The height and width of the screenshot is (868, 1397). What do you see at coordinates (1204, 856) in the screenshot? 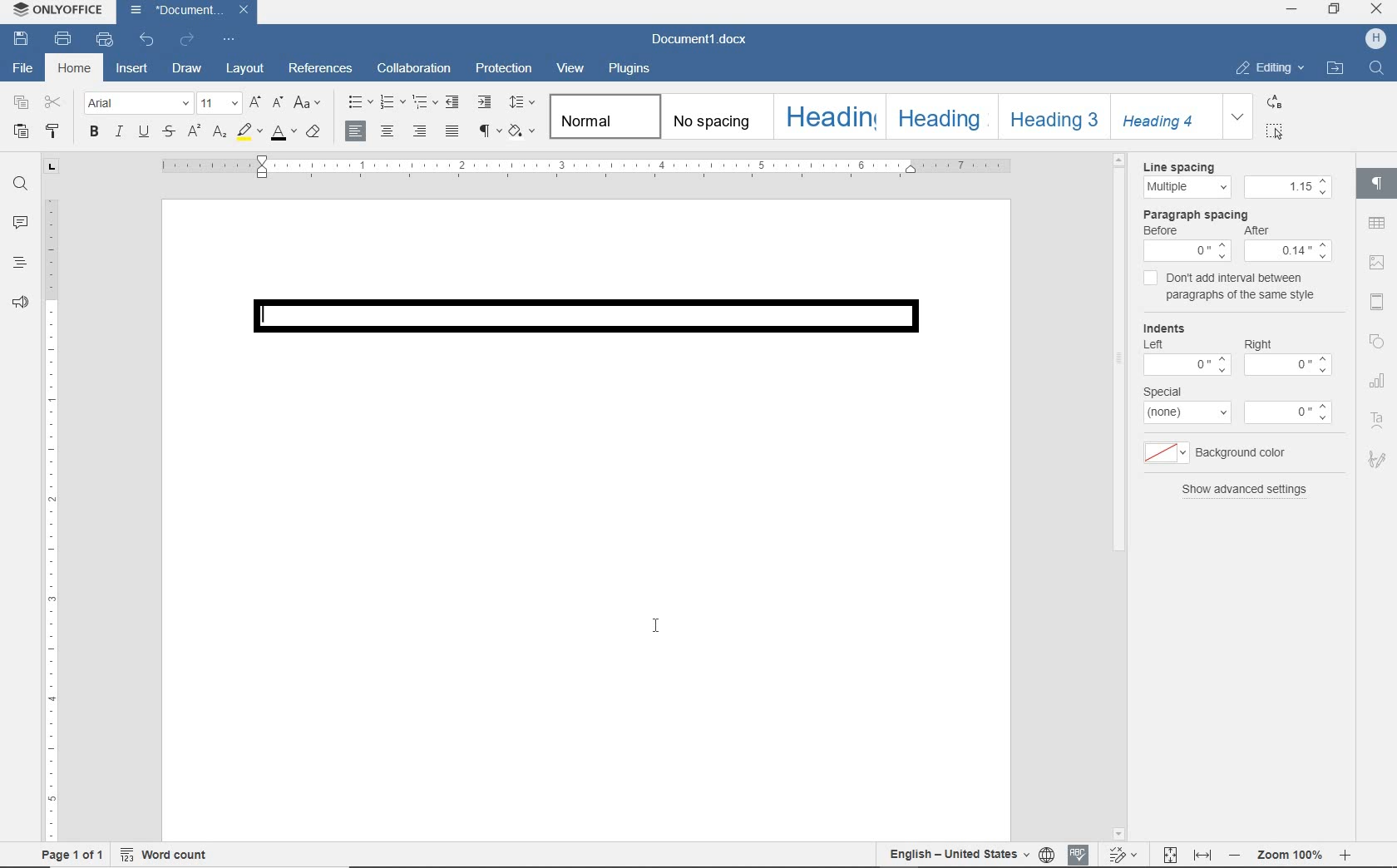
I see `Fit to width` at bounding box center [1204, 856].